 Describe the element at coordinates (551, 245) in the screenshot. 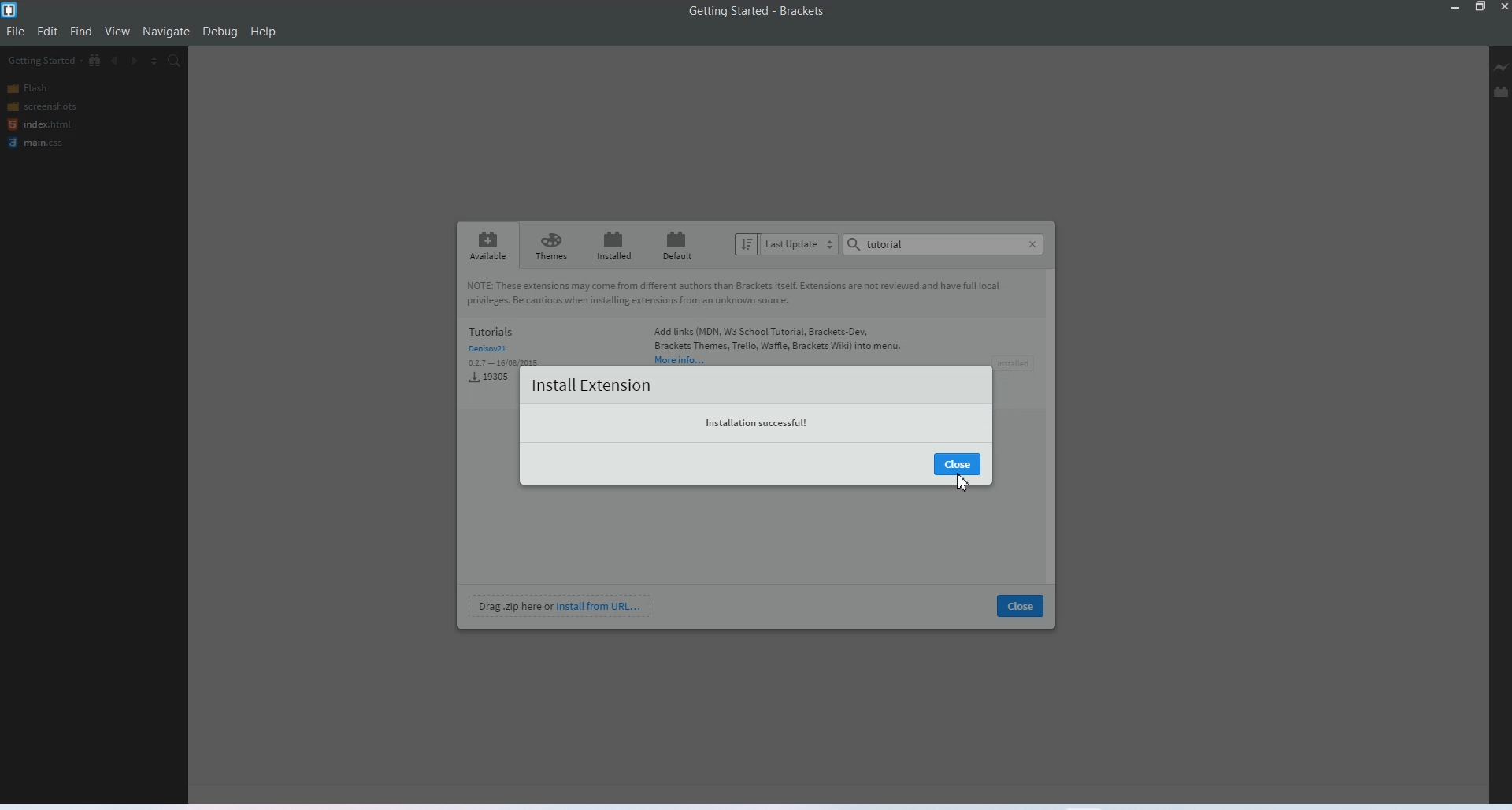

I see `Theme` at that location.